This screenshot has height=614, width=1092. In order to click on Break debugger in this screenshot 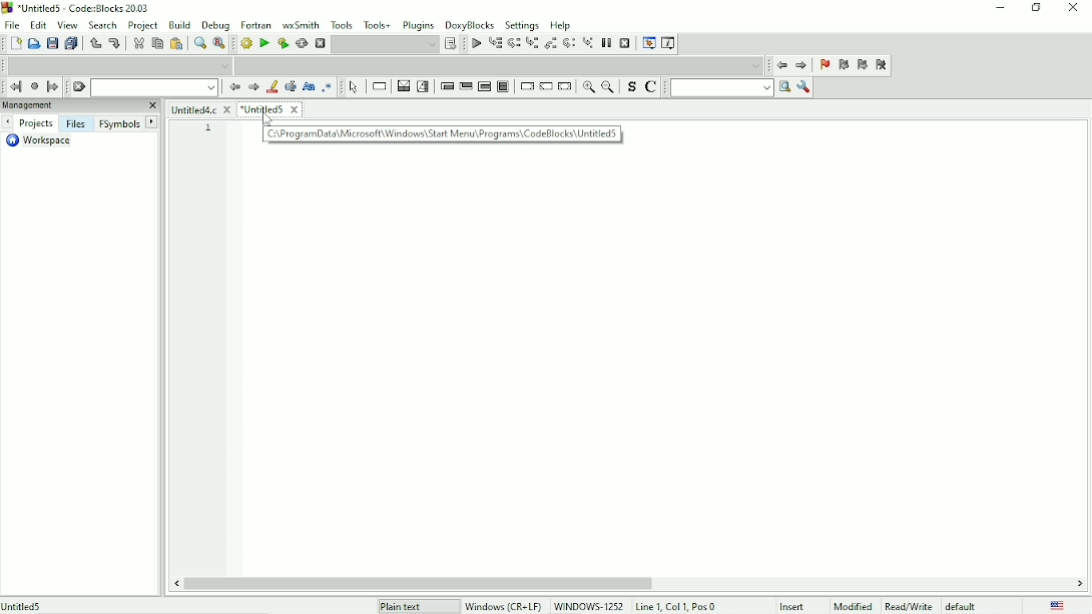, I will do `click(606, 43)`.